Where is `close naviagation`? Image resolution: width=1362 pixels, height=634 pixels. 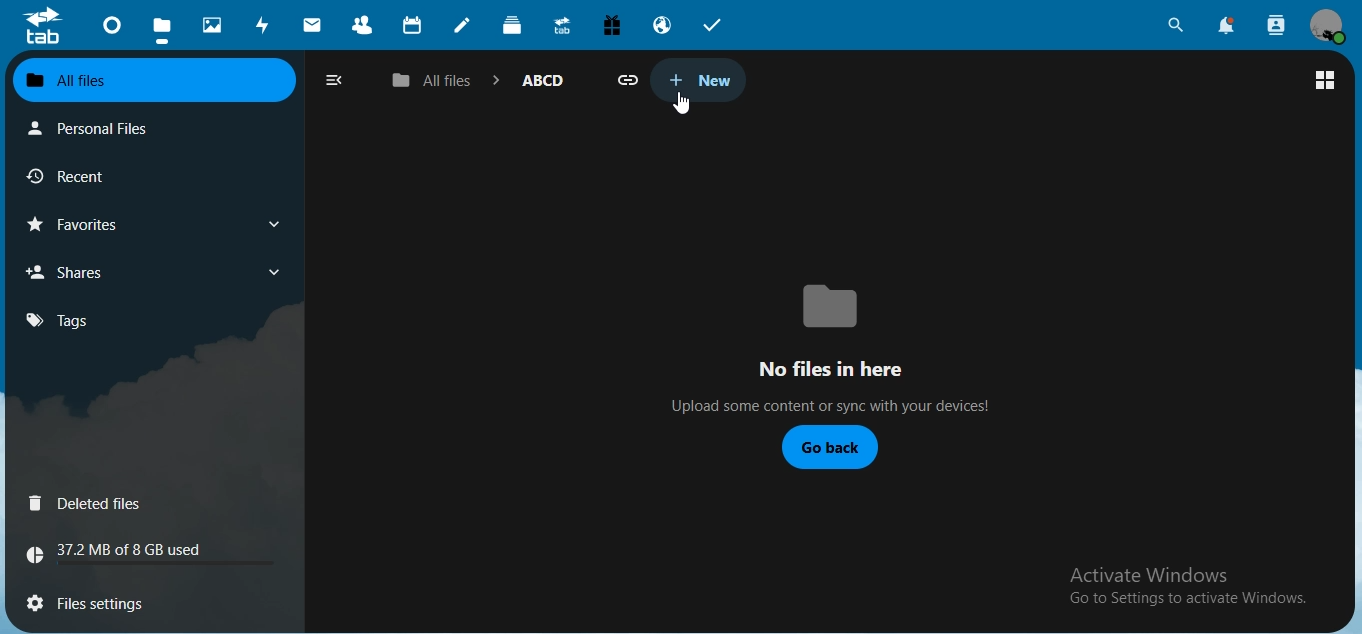
close naviagation is located at coordinates (333, 79).